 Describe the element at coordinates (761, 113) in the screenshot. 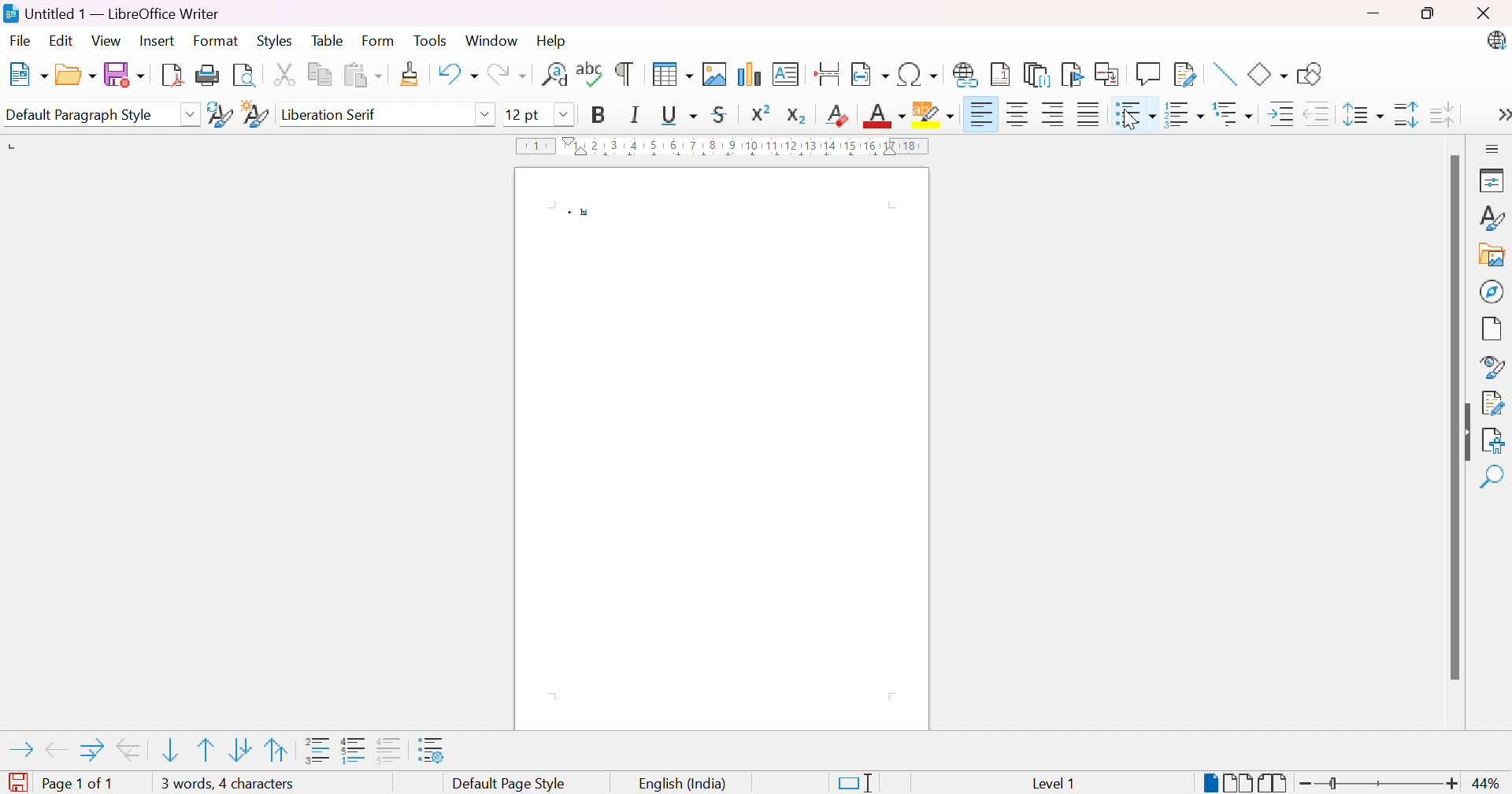

I see `Superscript` at that location.